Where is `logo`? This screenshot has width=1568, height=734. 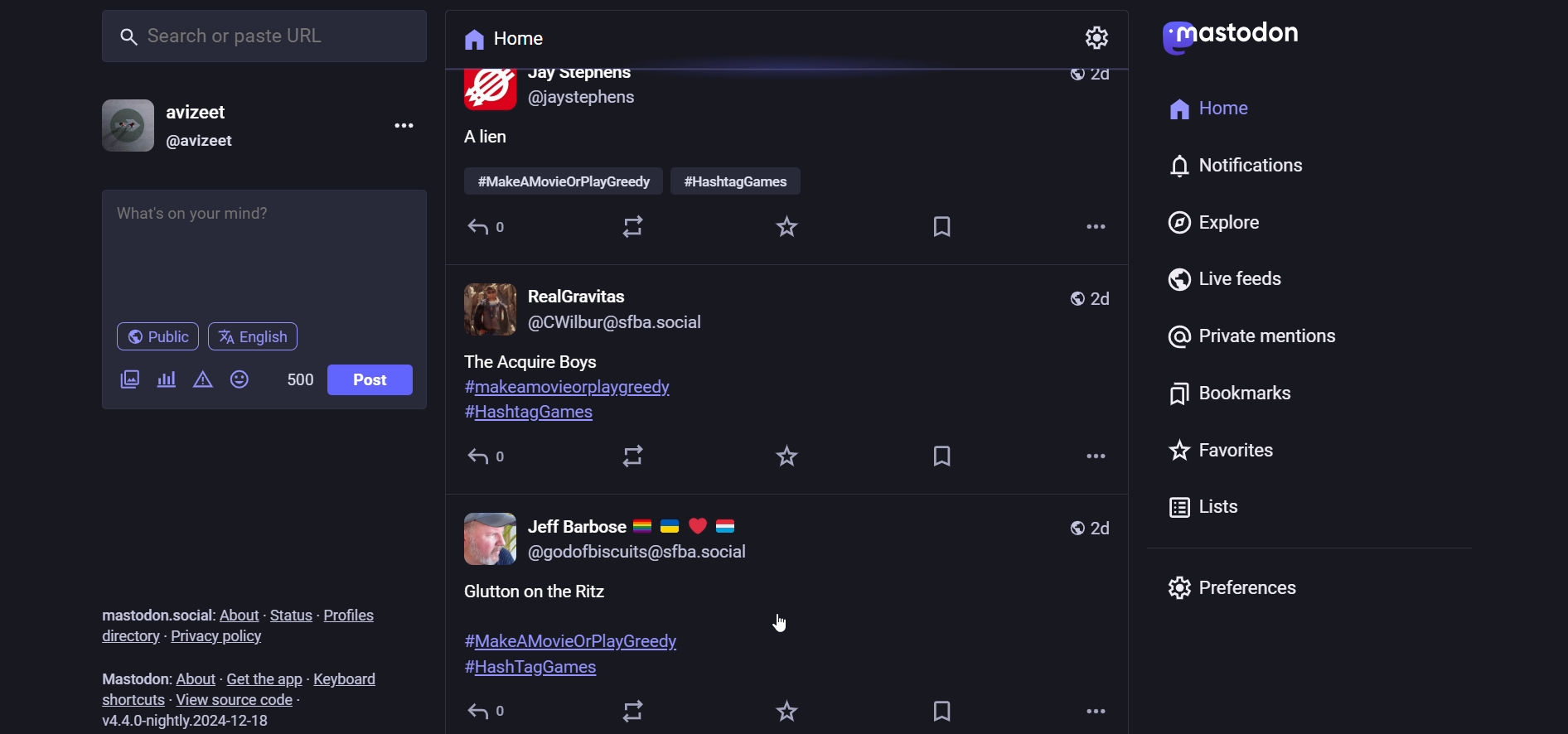
logo is located at coordinates (1235, 37).